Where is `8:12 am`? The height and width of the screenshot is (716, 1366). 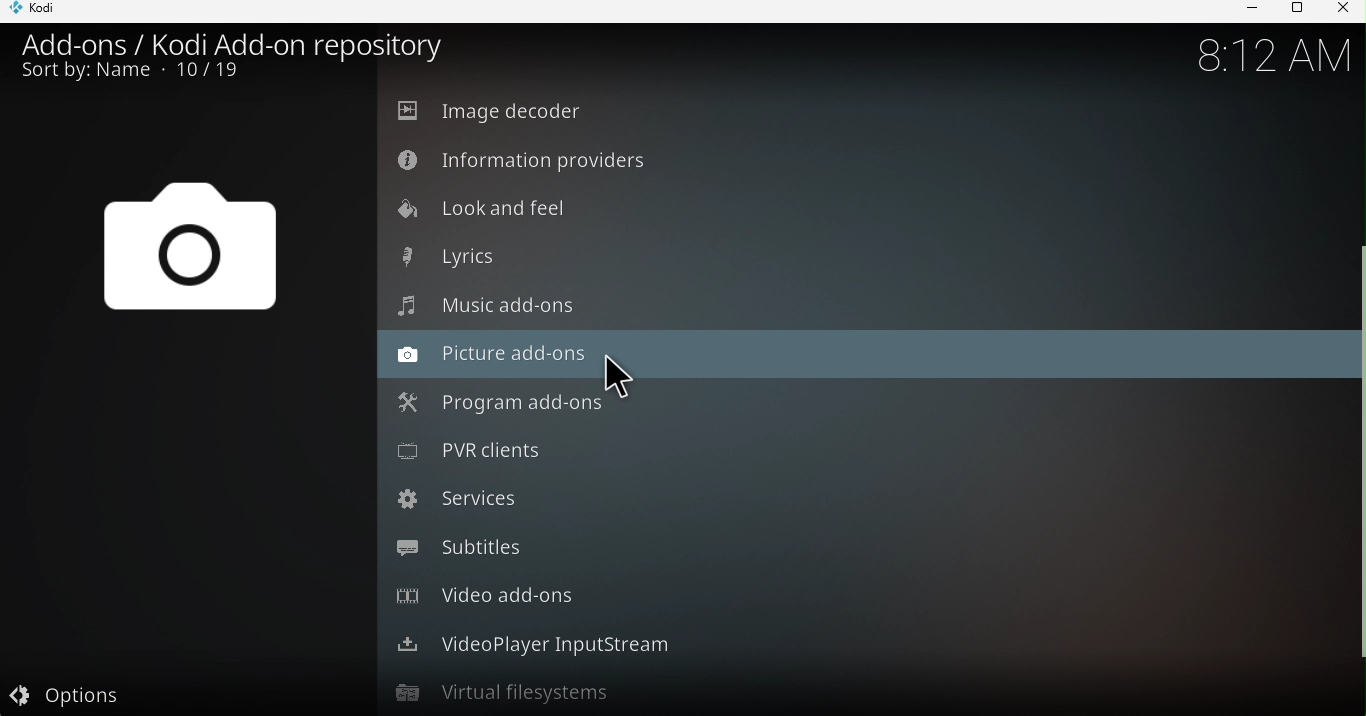
8:12 am is located at coordinates (1270, 55).